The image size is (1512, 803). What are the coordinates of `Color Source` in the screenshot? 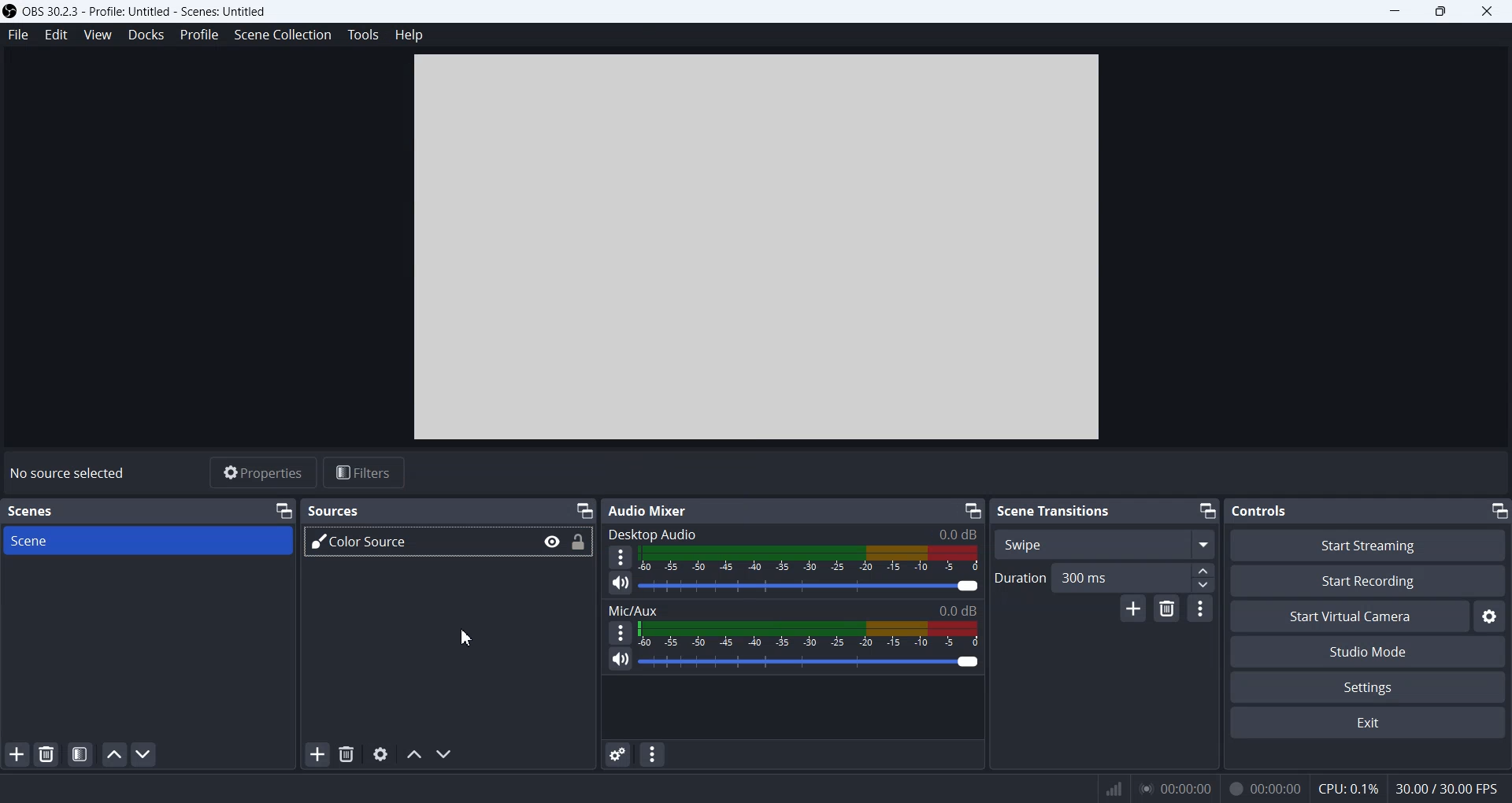 It's located at (415, 542).